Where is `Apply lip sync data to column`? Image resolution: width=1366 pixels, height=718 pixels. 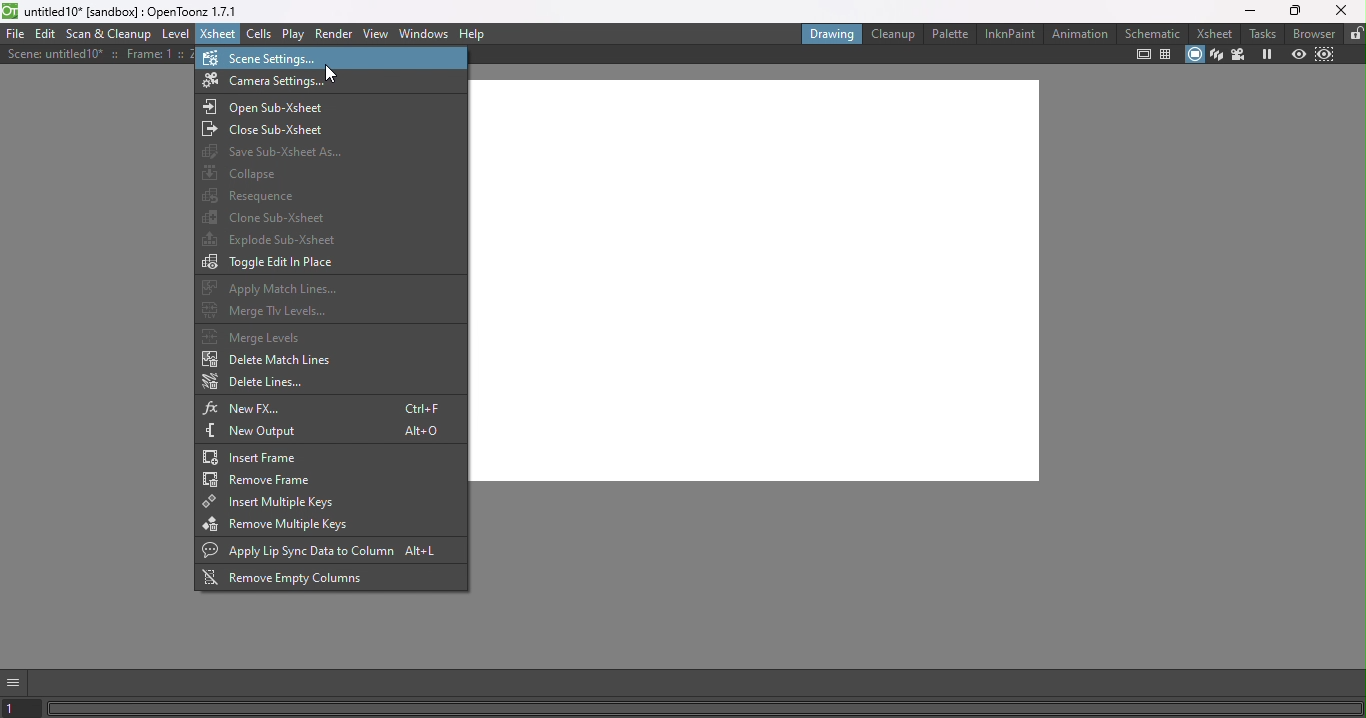
Apply lip sync data to column is located at coordinates (328, 549).